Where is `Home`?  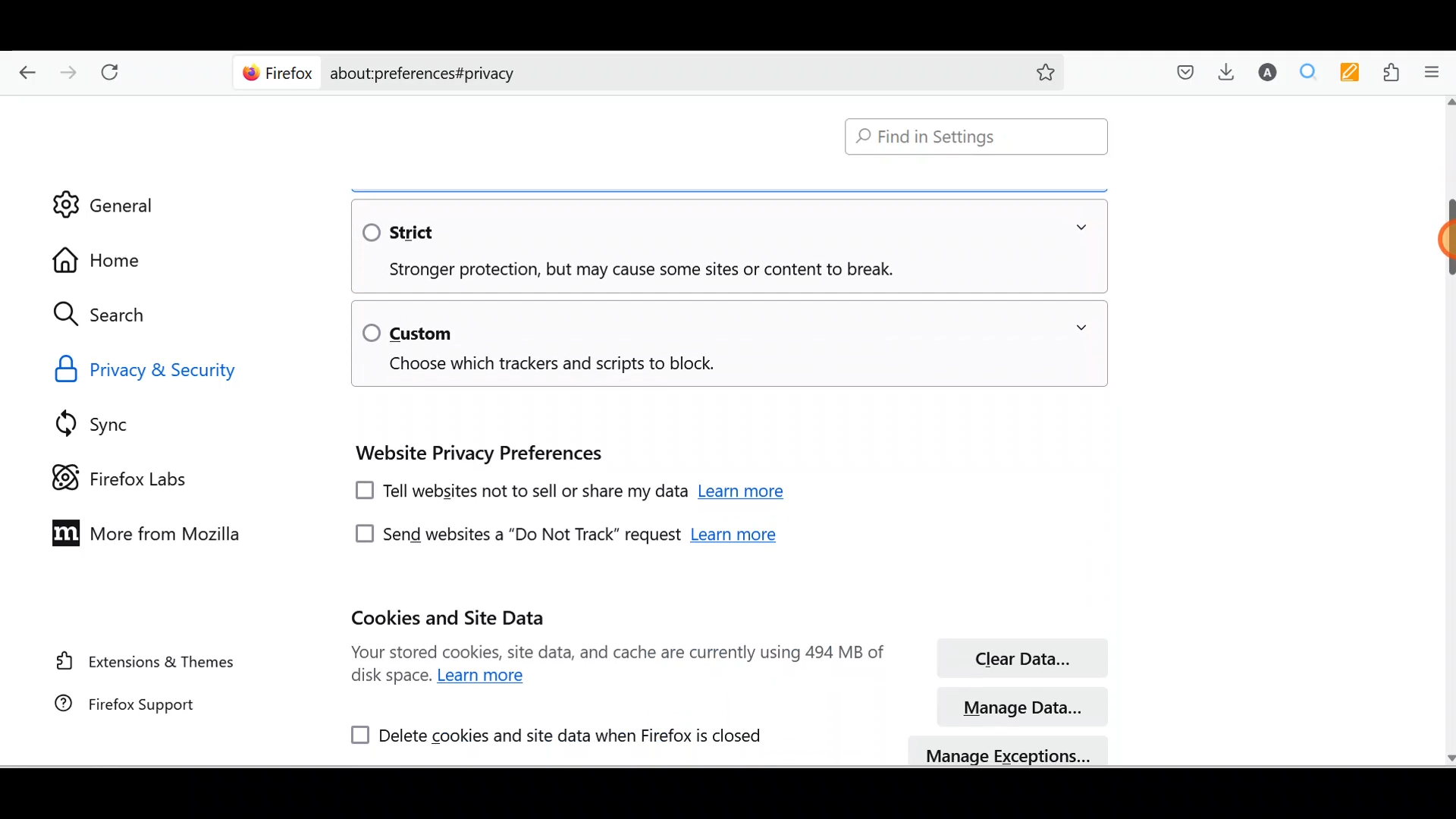
Home is located at coordinates (104, 260).